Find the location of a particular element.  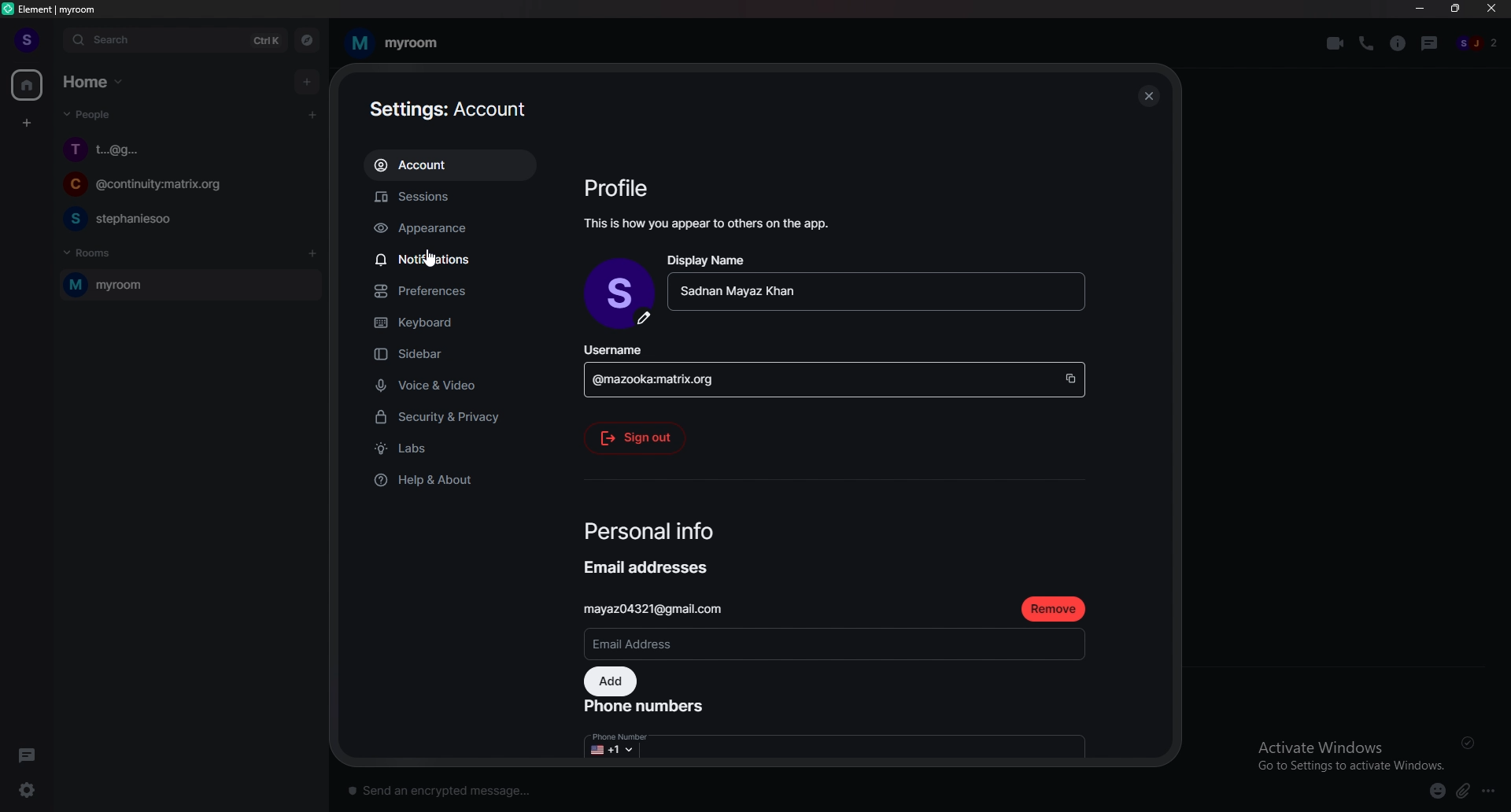

notifications is located at coordinates (448, 258).